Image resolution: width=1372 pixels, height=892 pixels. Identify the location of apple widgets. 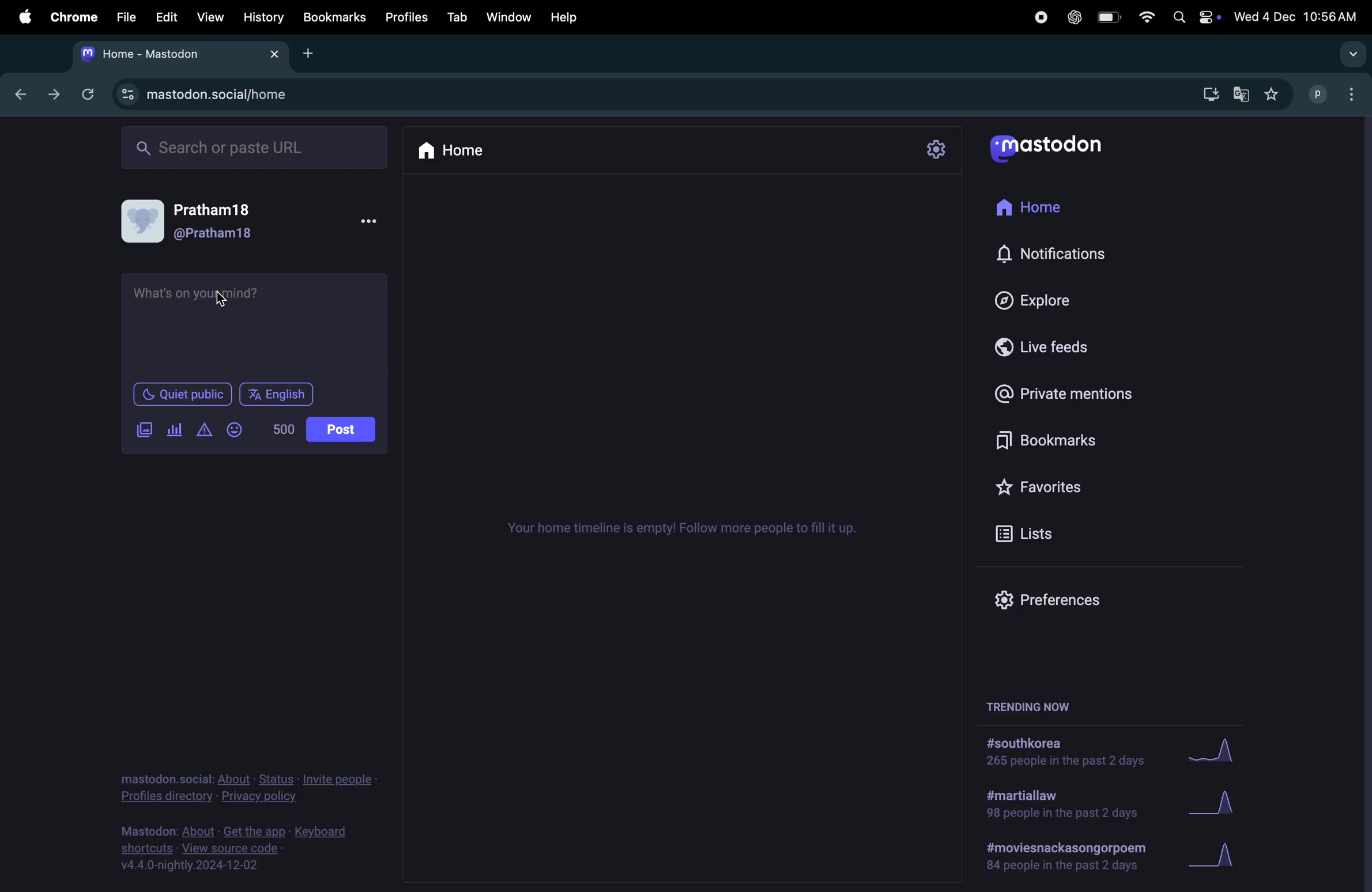
(1195, 16).